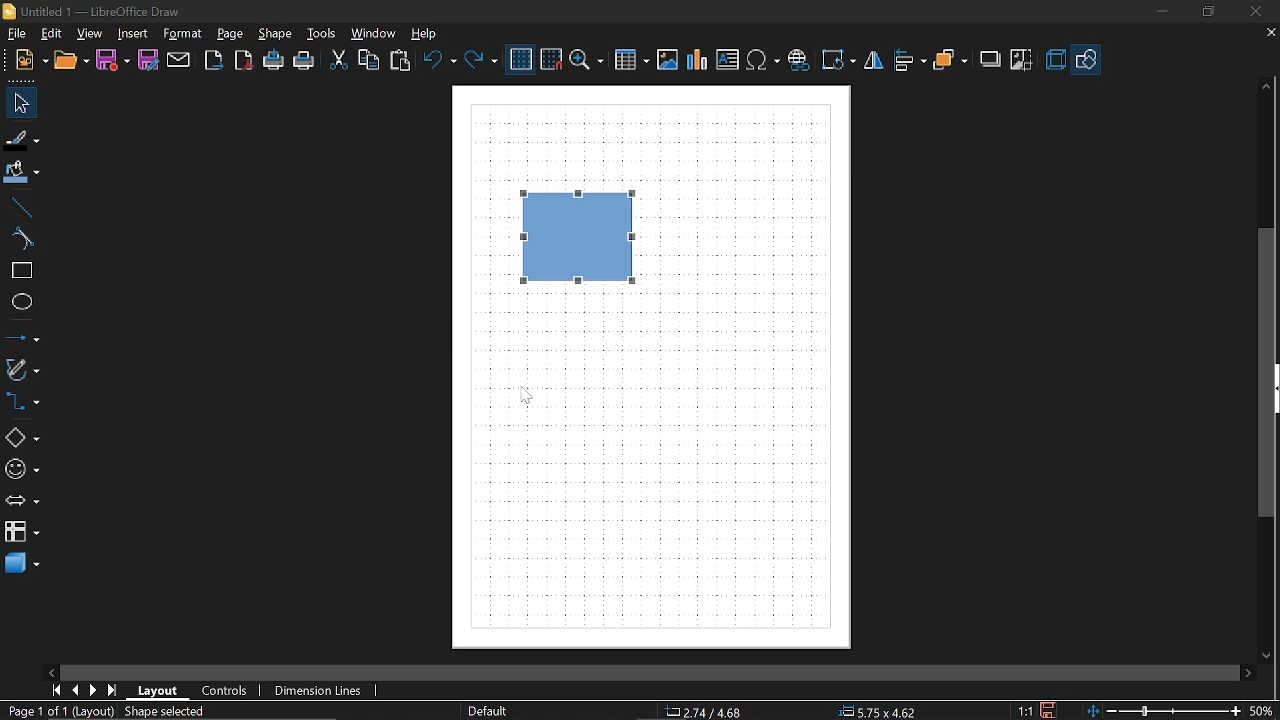 This screenshot has width=1280, height=720. What do you see at coordinates (226, 691) in the screenshot?
I see `Controls` at bounding box center [226, 691].